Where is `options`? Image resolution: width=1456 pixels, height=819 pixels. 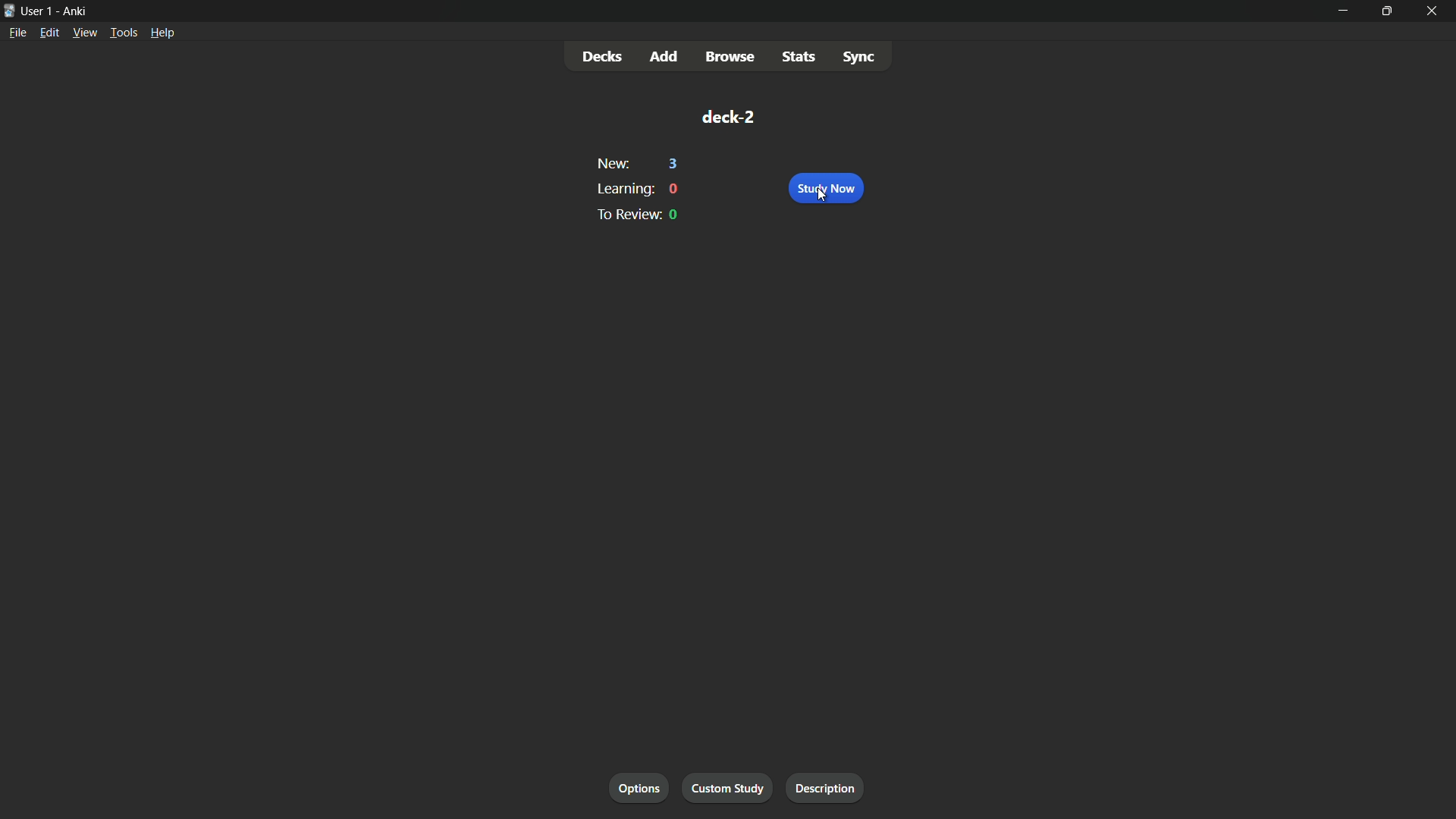
options is located at coordinates (645, 789).